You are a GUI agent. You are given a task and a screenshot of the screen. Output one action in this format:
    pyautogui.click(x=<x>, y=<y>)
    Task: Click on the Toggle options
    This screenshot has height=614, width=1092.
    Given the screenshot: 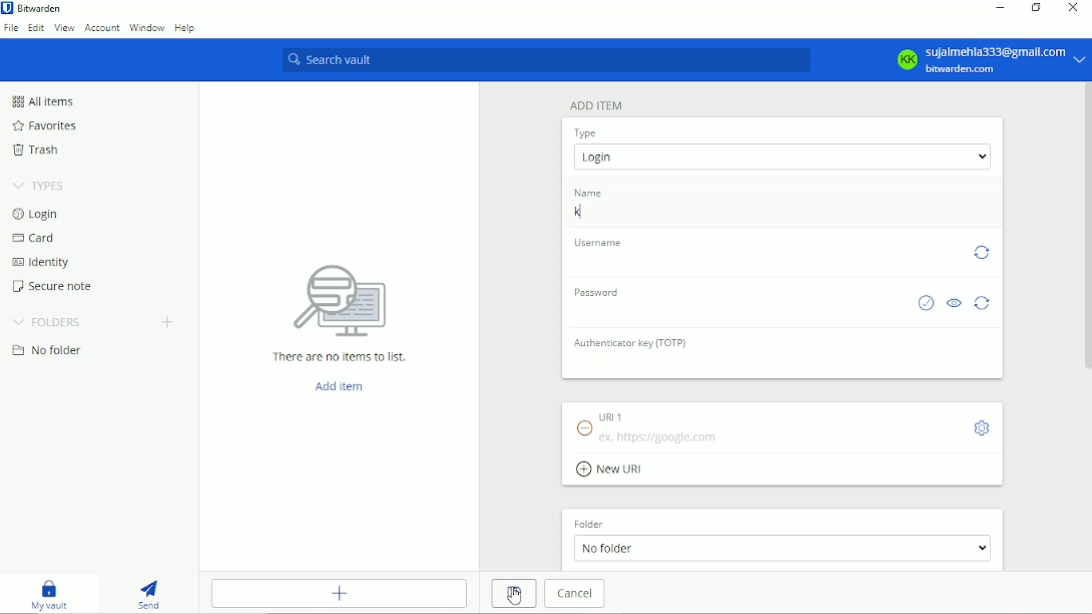 What is the action you would take?
    pyautogui.click(x=983, y=428)
    